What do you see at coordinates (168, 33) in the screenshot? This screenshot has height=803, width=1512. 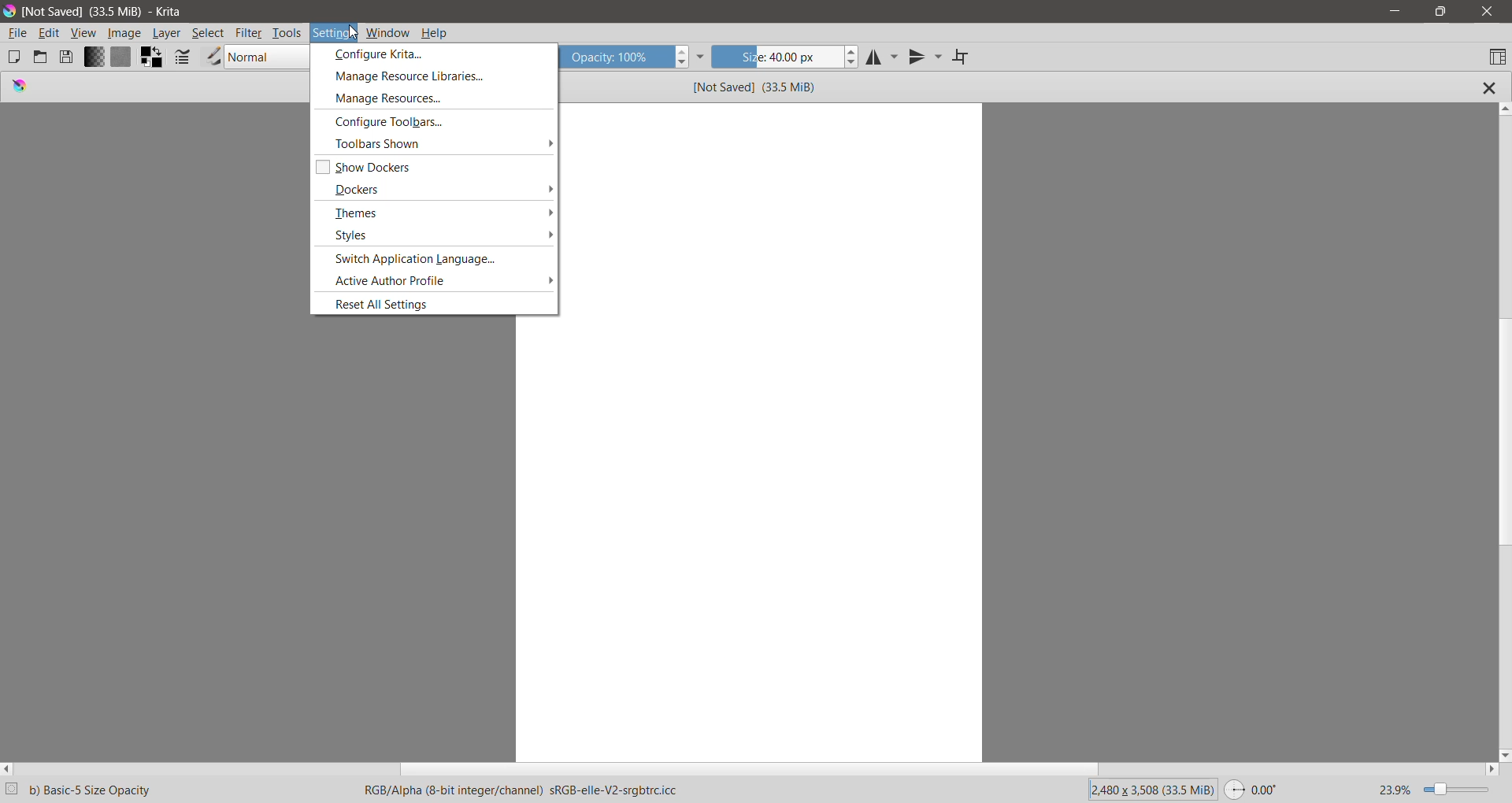 I see `Layer` at bounding box center [168, 33].